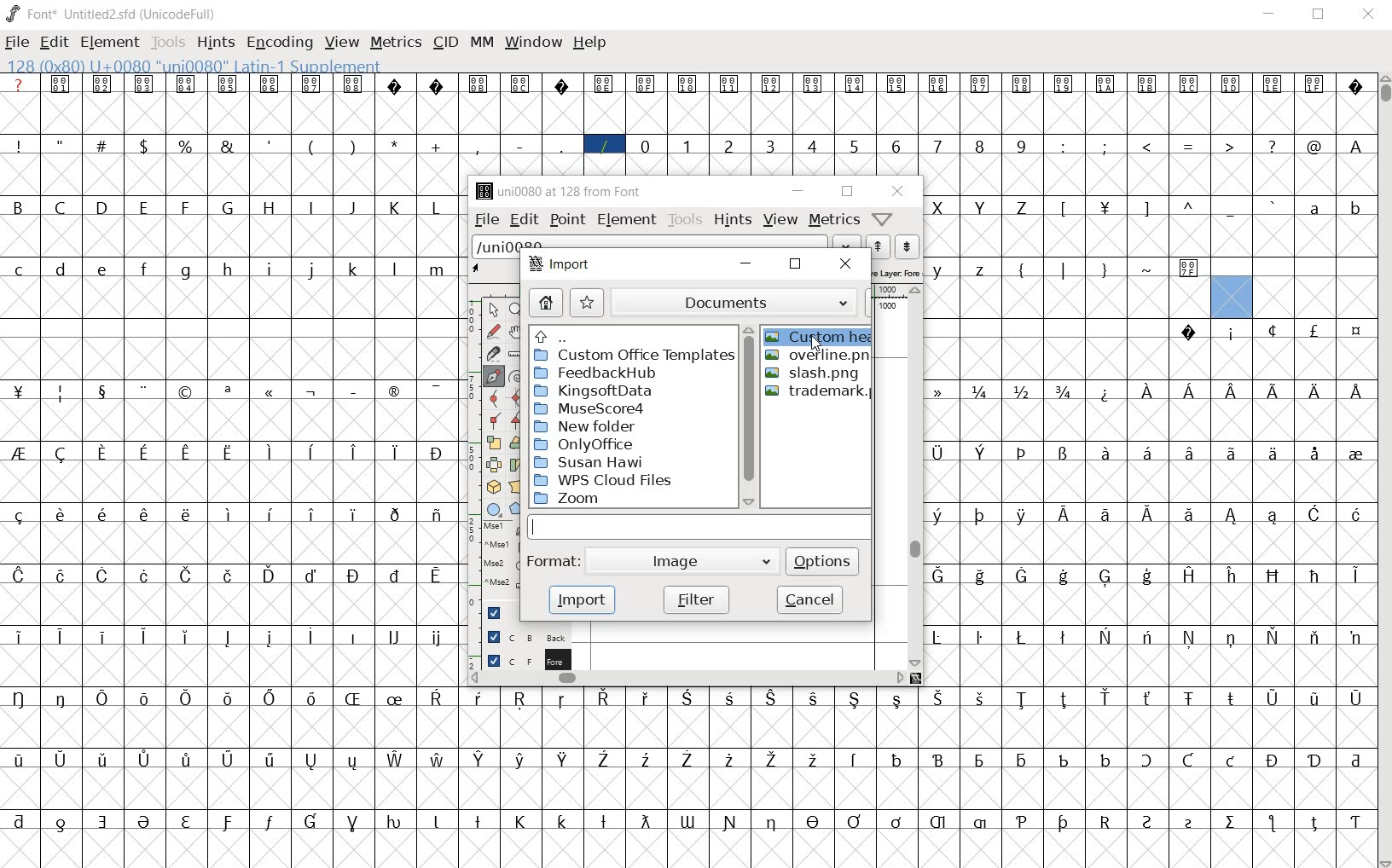  What do you see at coordinates (229, 699) in the screenshot?
I see `glyph` at bounding box center [229, 699].